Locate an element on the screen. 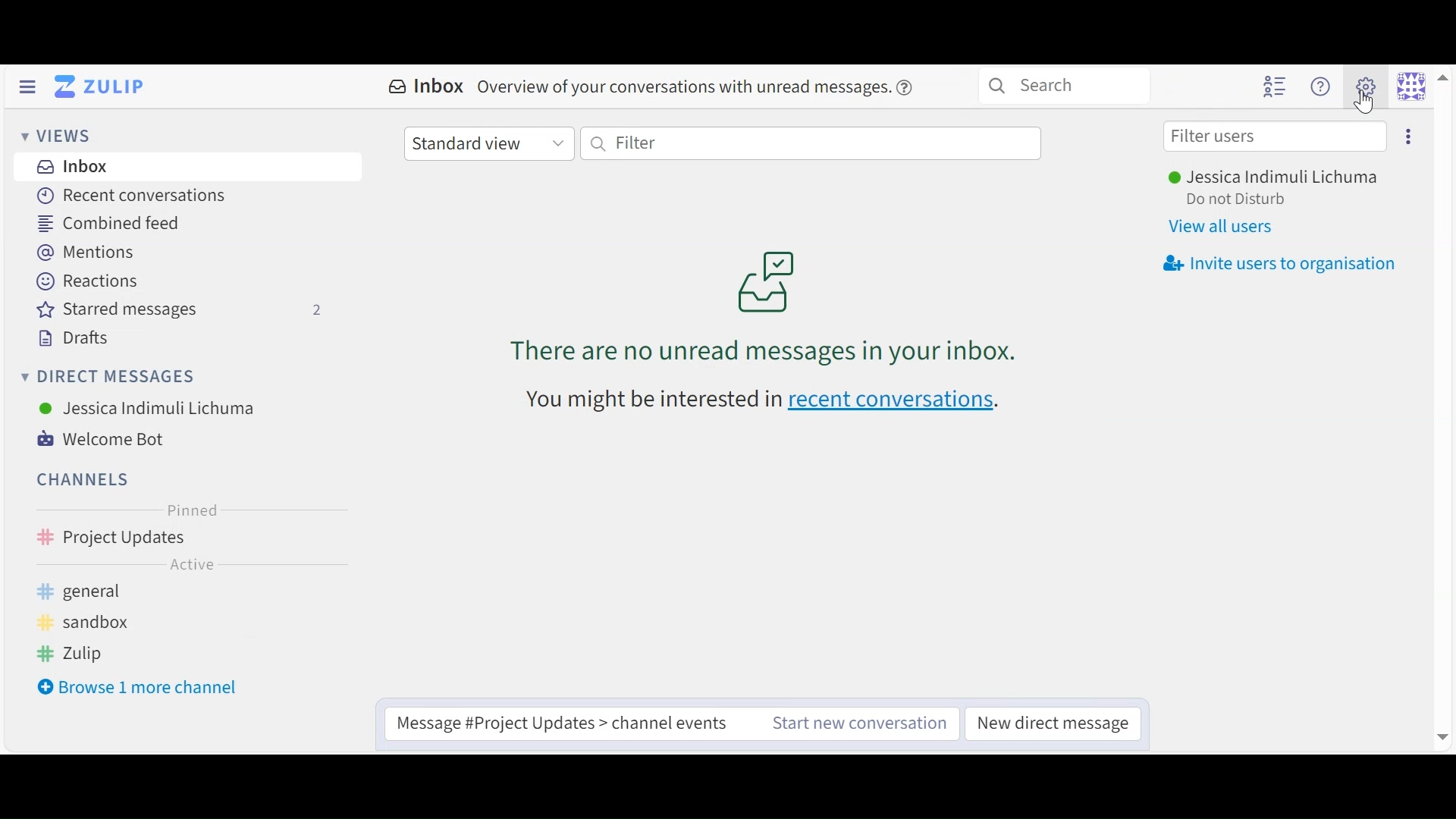 Image resolution: width=1456 pixels, height=819 pixels. Personal menu is located at coordinates (1412, 87).